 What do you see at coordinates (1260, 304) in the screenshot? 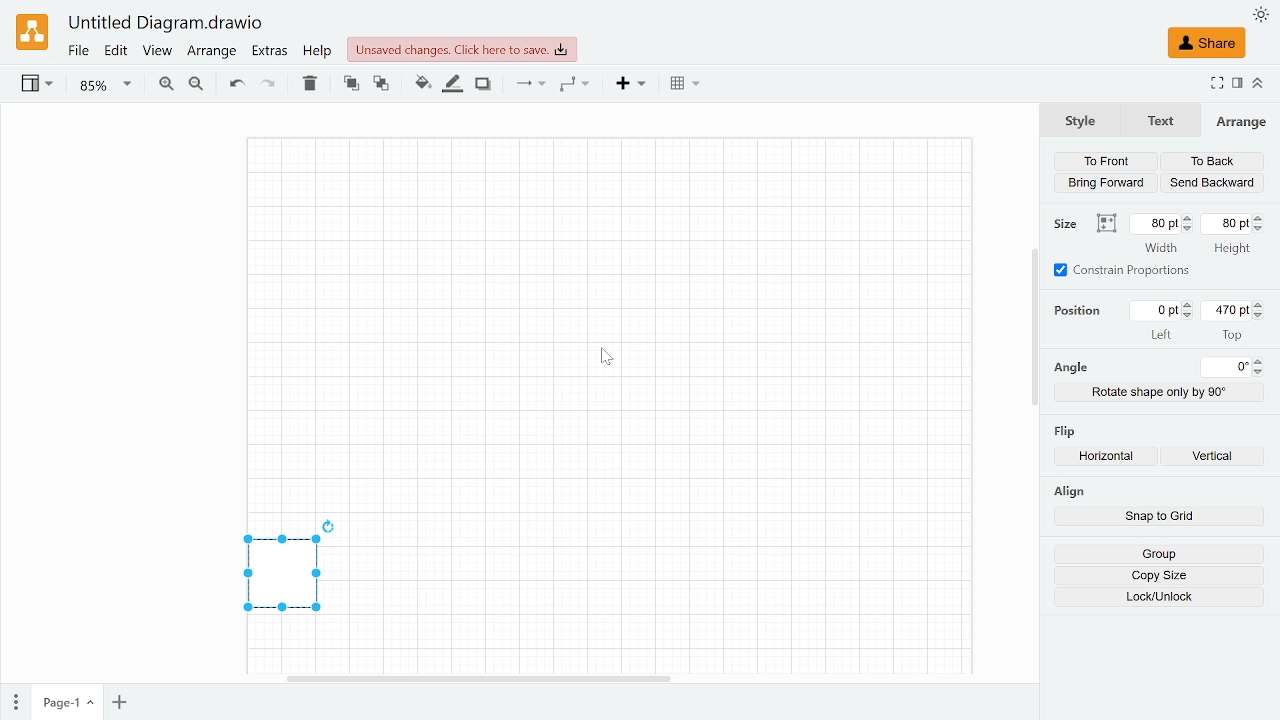
I see `Increase top` at bounding box center [1260, 304].